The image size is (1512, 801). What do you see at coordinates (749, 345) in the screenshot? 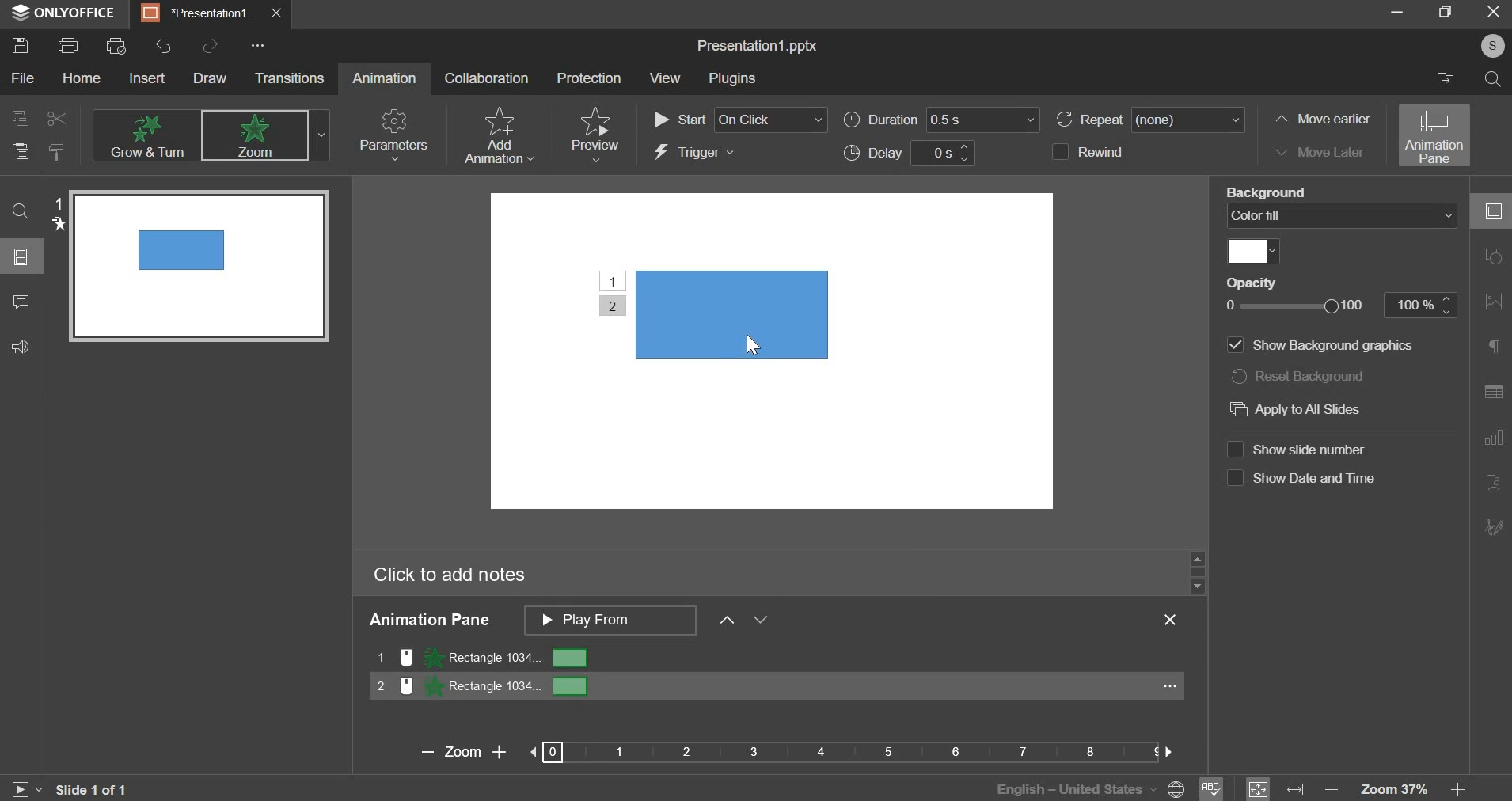
I see `Cursor` at bounding box center [749, 345].